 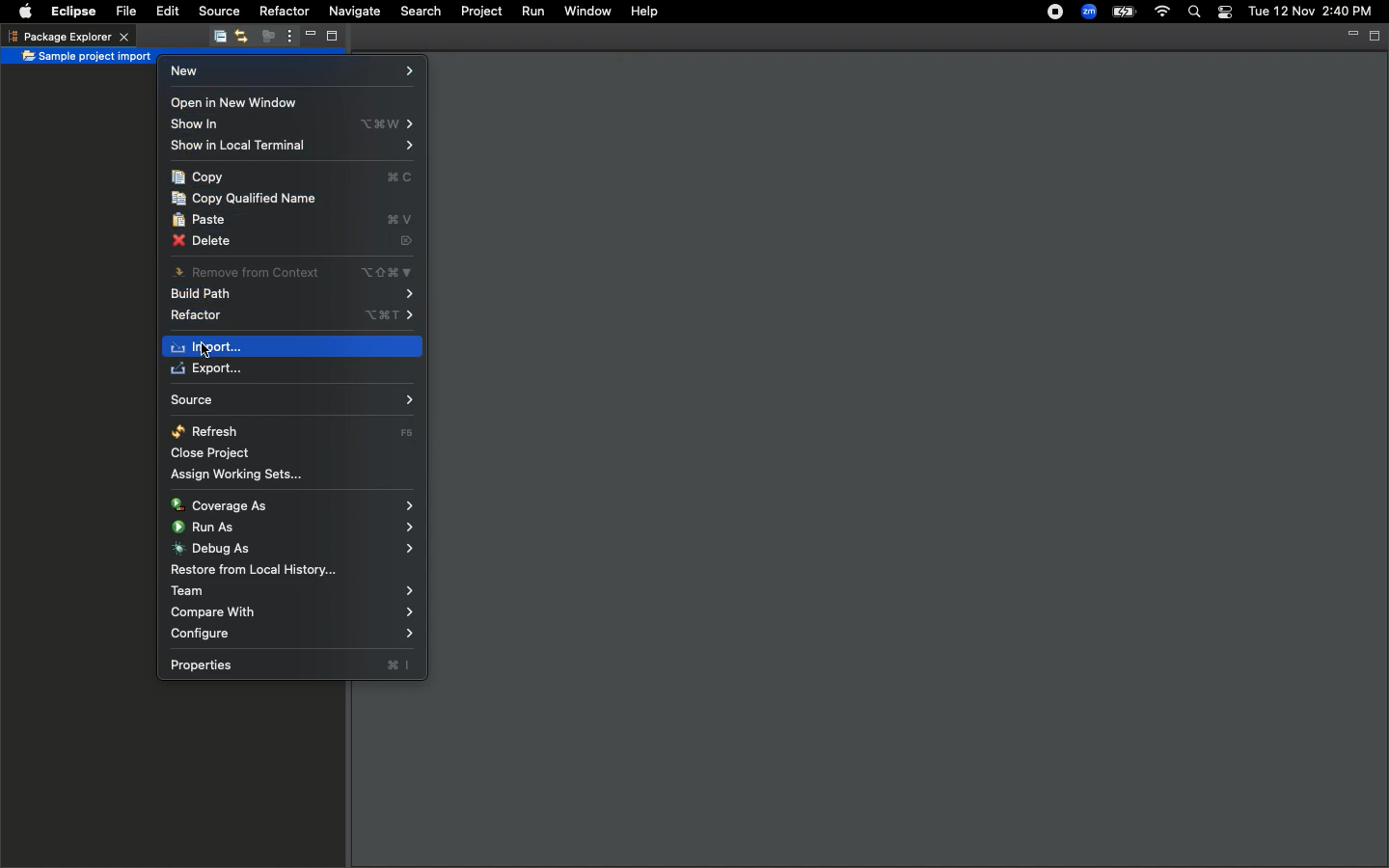 I want to click on Copy qualified name, so click(x=248, y=199).